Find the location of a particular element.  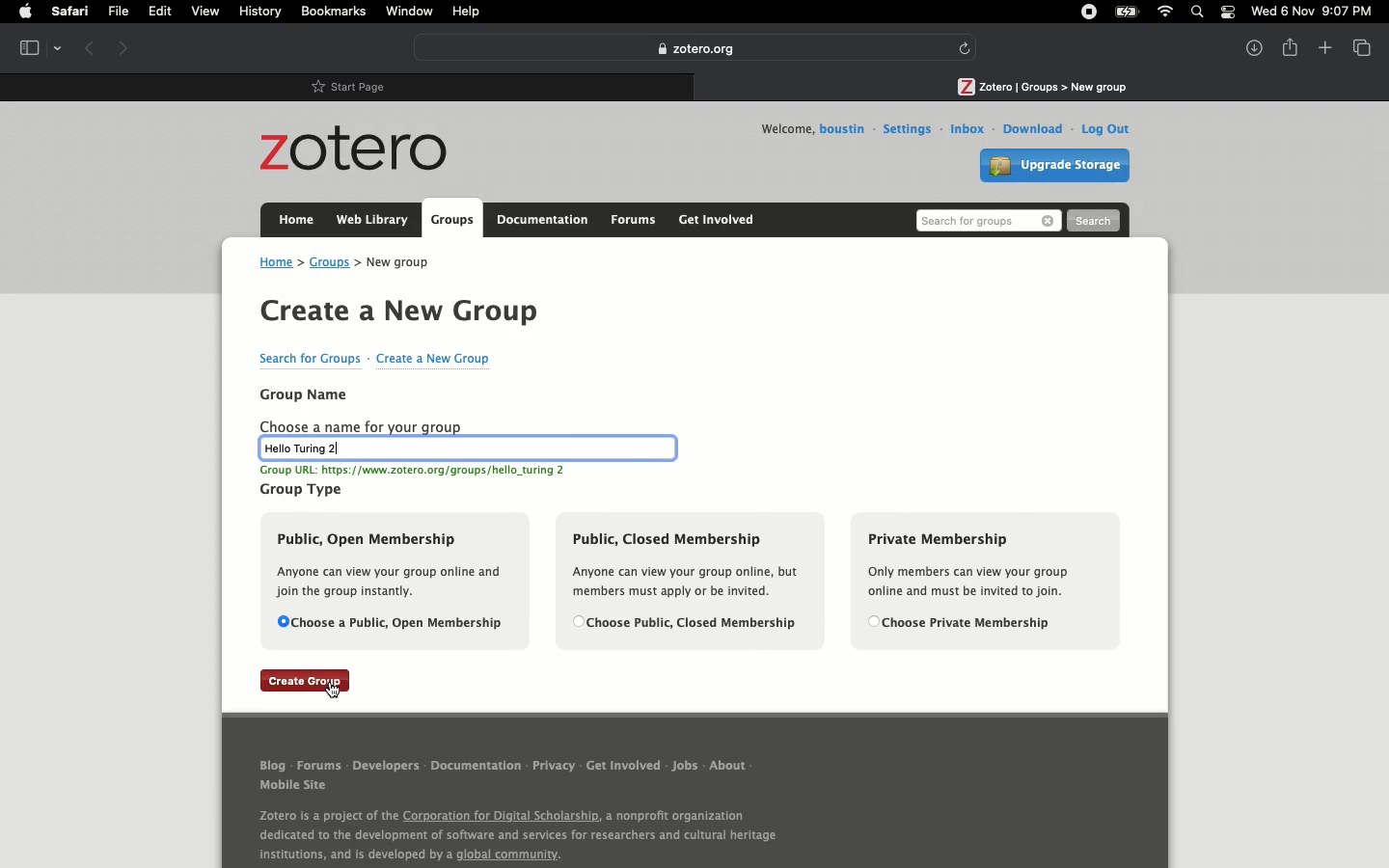

Group type is located at coordinates (303, 490).